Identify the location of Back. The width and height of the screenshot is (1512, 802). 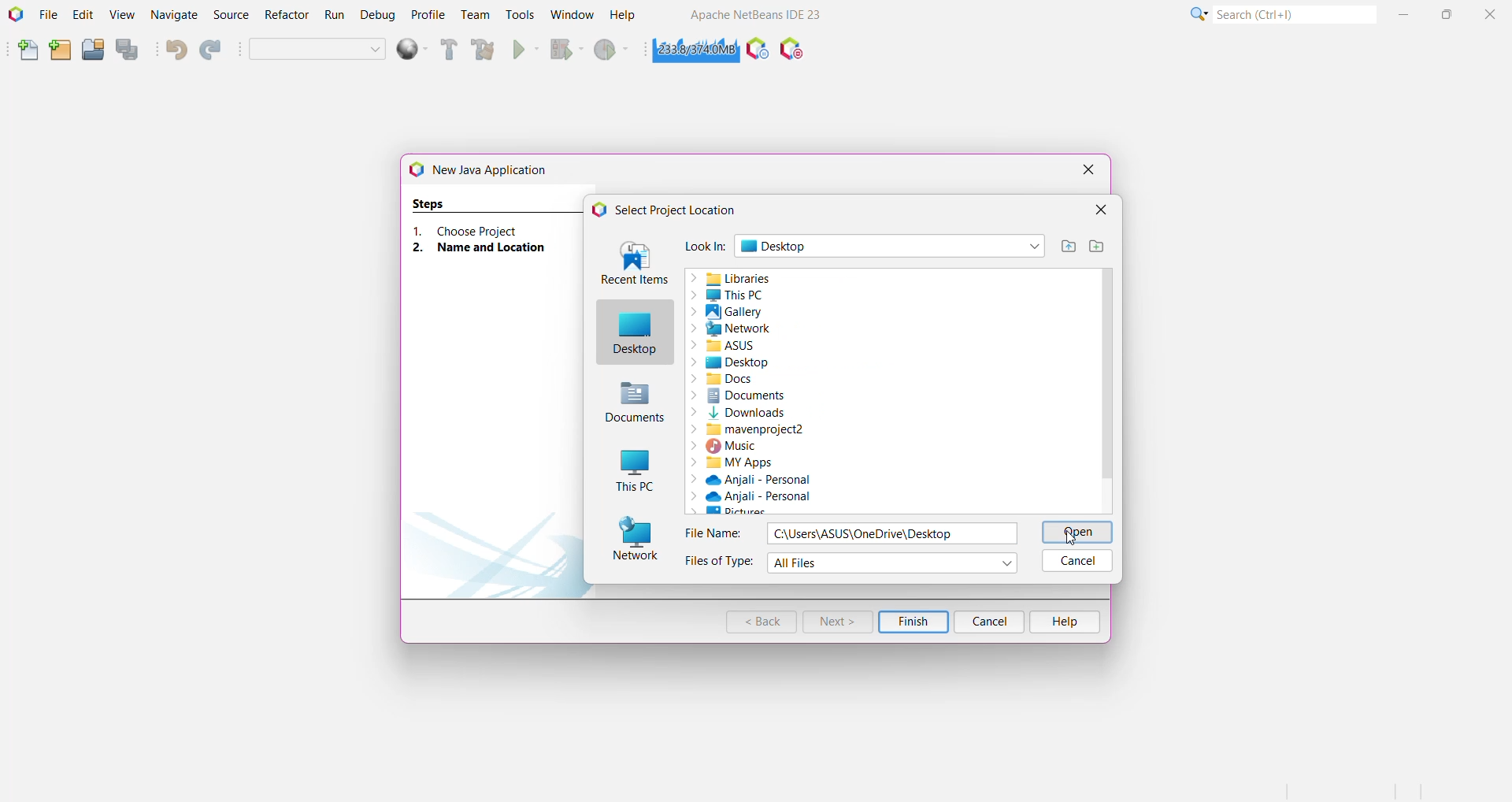
(762, 622).